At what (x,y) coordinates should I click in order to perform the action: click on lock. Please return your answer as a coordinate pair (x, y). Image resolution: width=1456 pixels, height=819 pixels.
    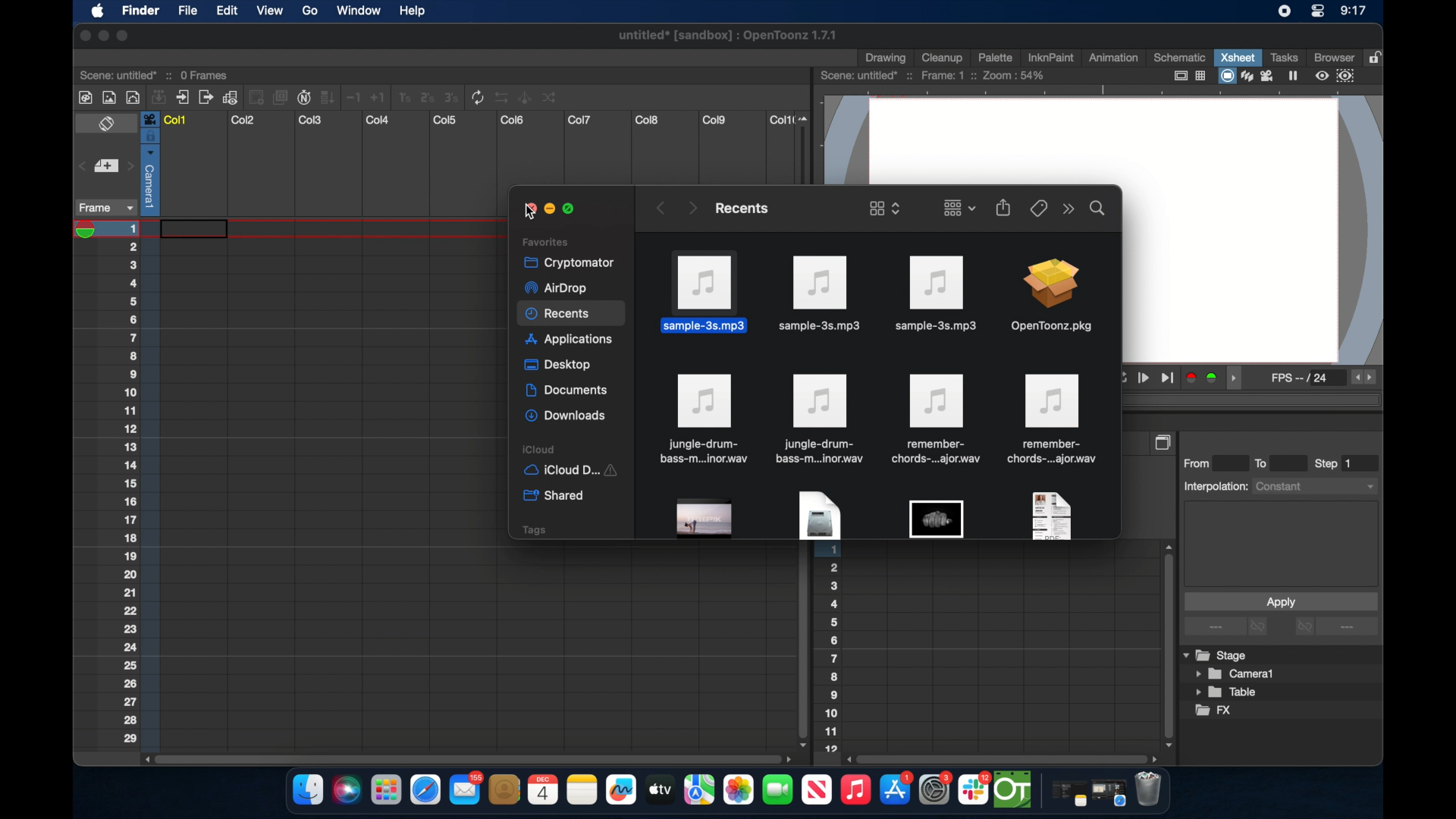
    Looking at the image, I should click on (1377, 56).